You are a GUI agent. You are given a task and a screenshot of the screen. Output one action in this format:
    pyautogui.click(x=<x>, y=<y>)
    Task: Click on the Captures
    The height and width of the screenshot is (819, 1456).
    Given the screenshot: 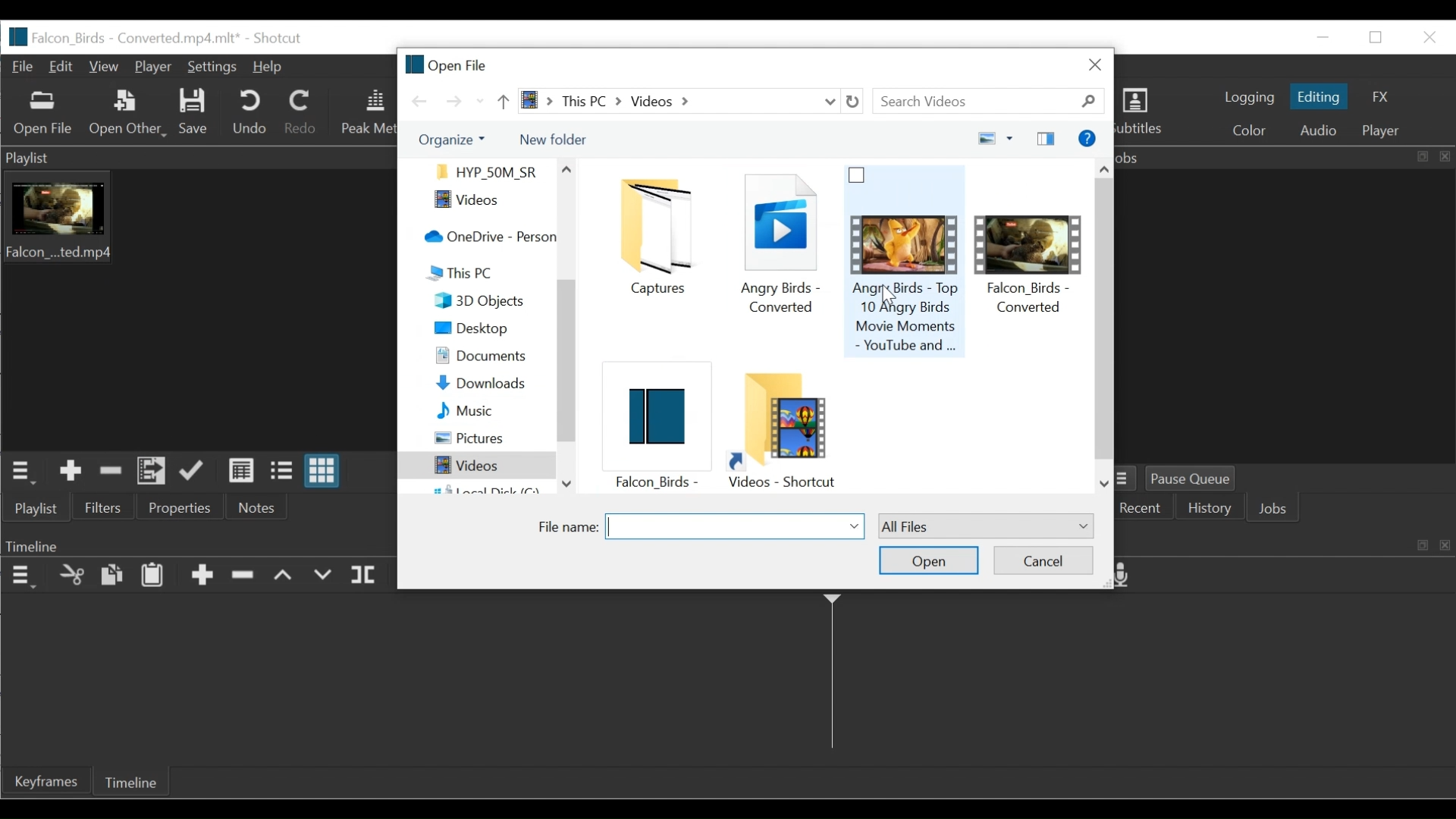 What is the action you would take?
    pyautogui.click(x=662, y=237)
    